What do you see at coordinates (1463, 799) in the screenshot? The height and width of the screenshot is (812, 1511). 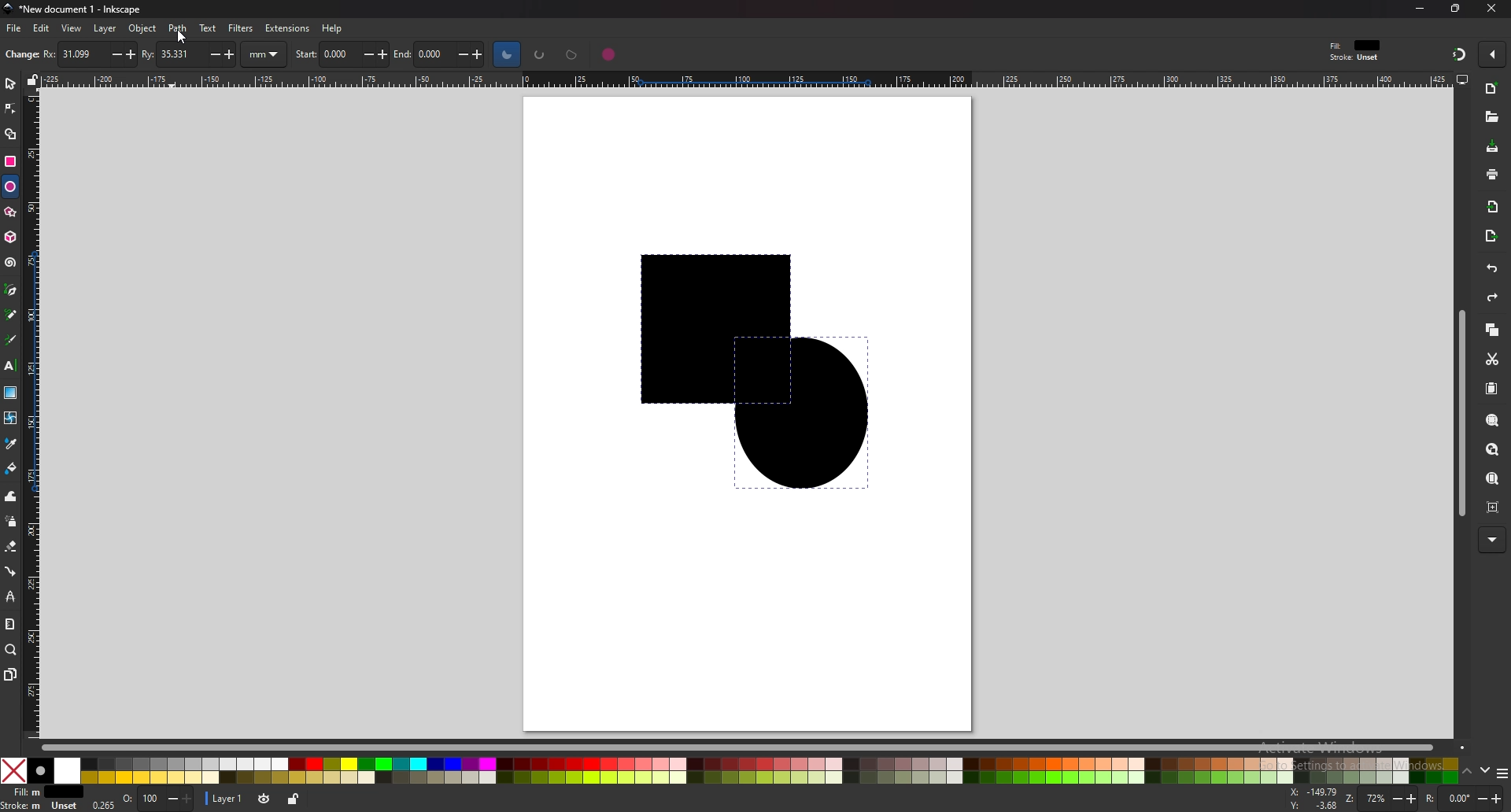 I see `rotate` at bounding box center [1463, 799].